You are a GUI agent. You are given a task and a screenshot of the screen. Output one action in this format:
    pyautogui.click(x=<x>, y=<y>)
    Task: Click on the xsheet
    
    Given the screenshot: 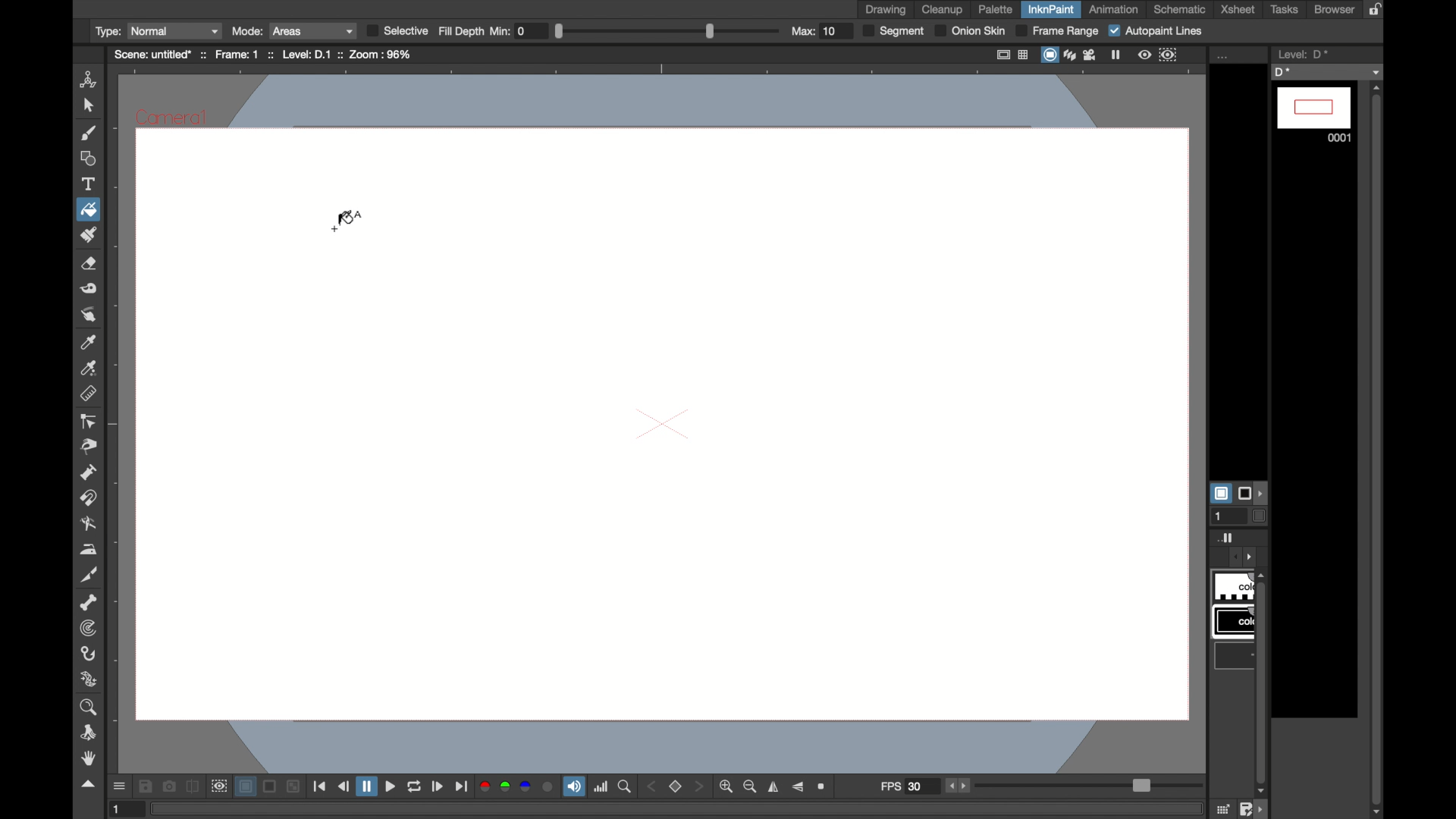 What is the action you would take?
    pyautogui.click(x=1238, y=9)
    